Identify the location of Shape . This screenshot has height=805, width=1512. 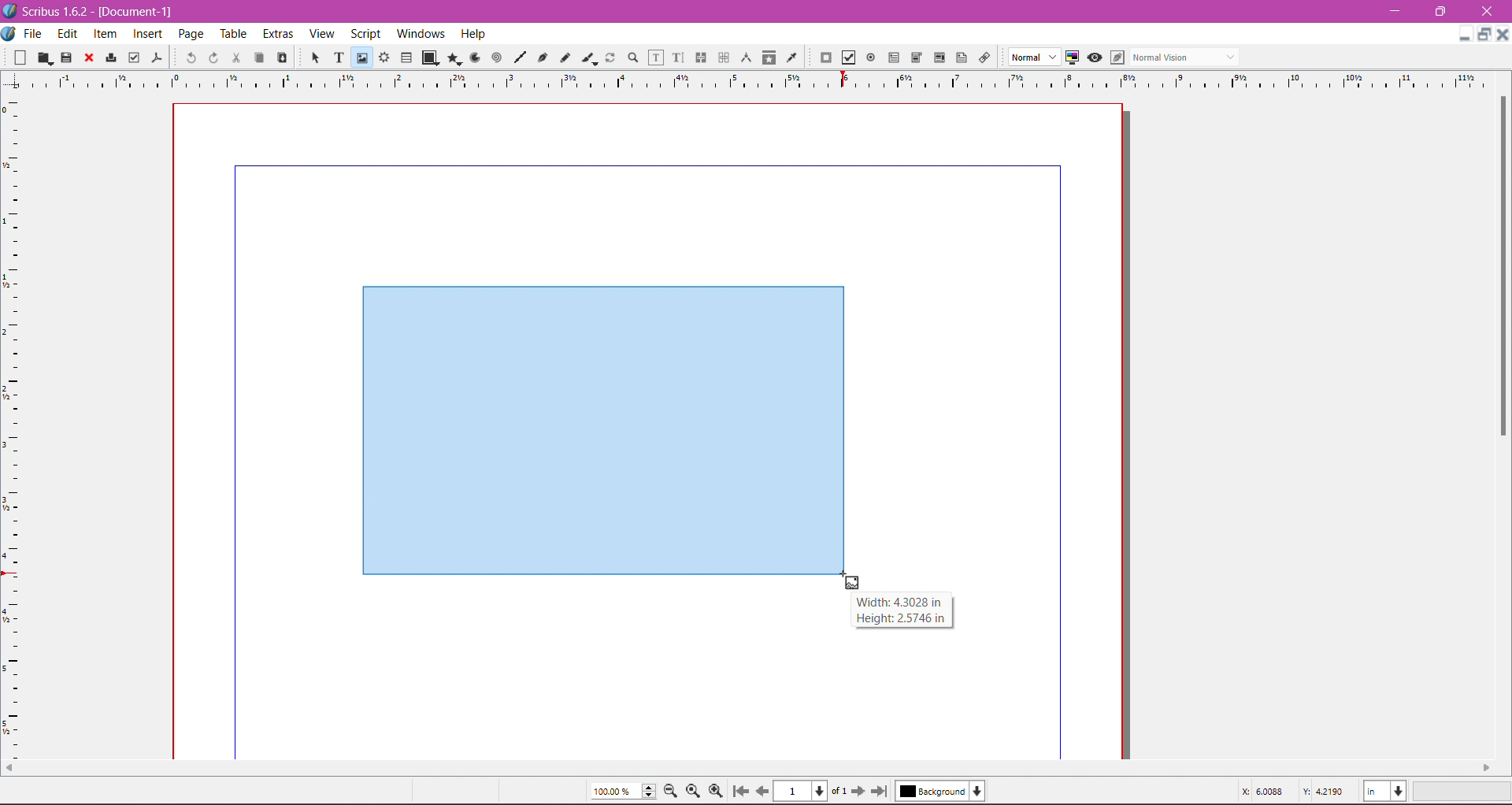
(432, 58).